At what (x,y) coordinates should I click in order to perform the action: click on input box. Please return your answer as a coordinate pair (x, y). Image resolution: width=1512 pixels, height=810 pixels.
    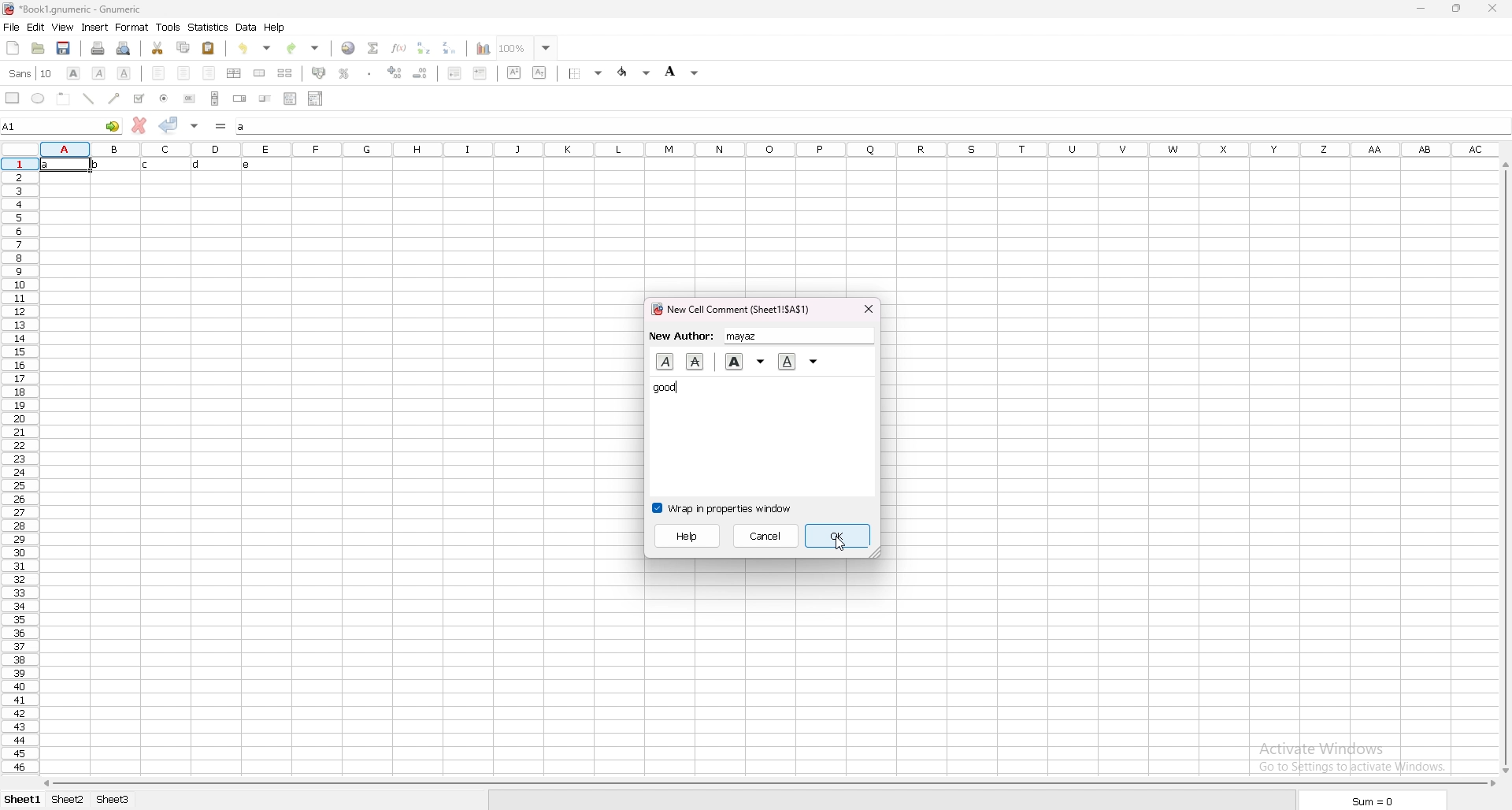
    Looking at the image, I should click on (872, 127).